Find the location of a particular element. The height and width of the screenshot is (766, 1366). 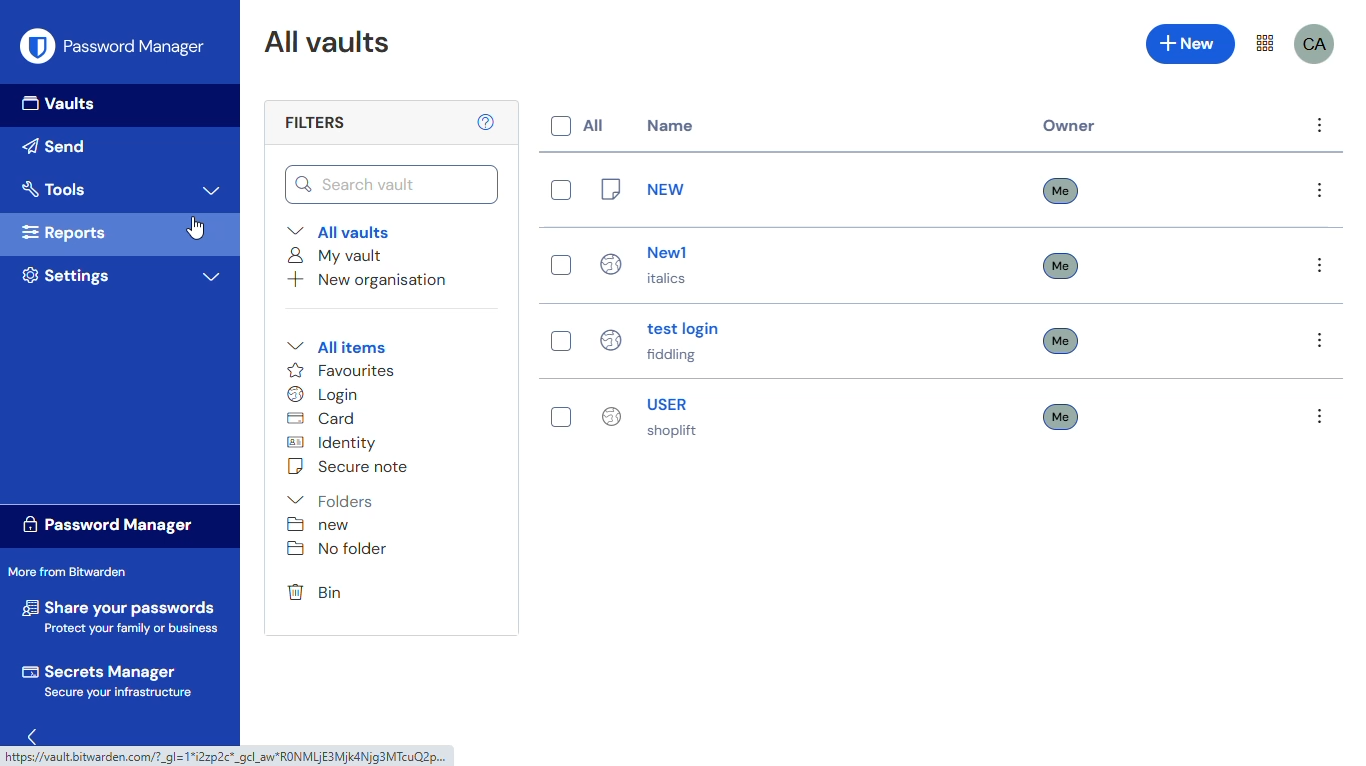

me is located at coordinates (1061, 190).